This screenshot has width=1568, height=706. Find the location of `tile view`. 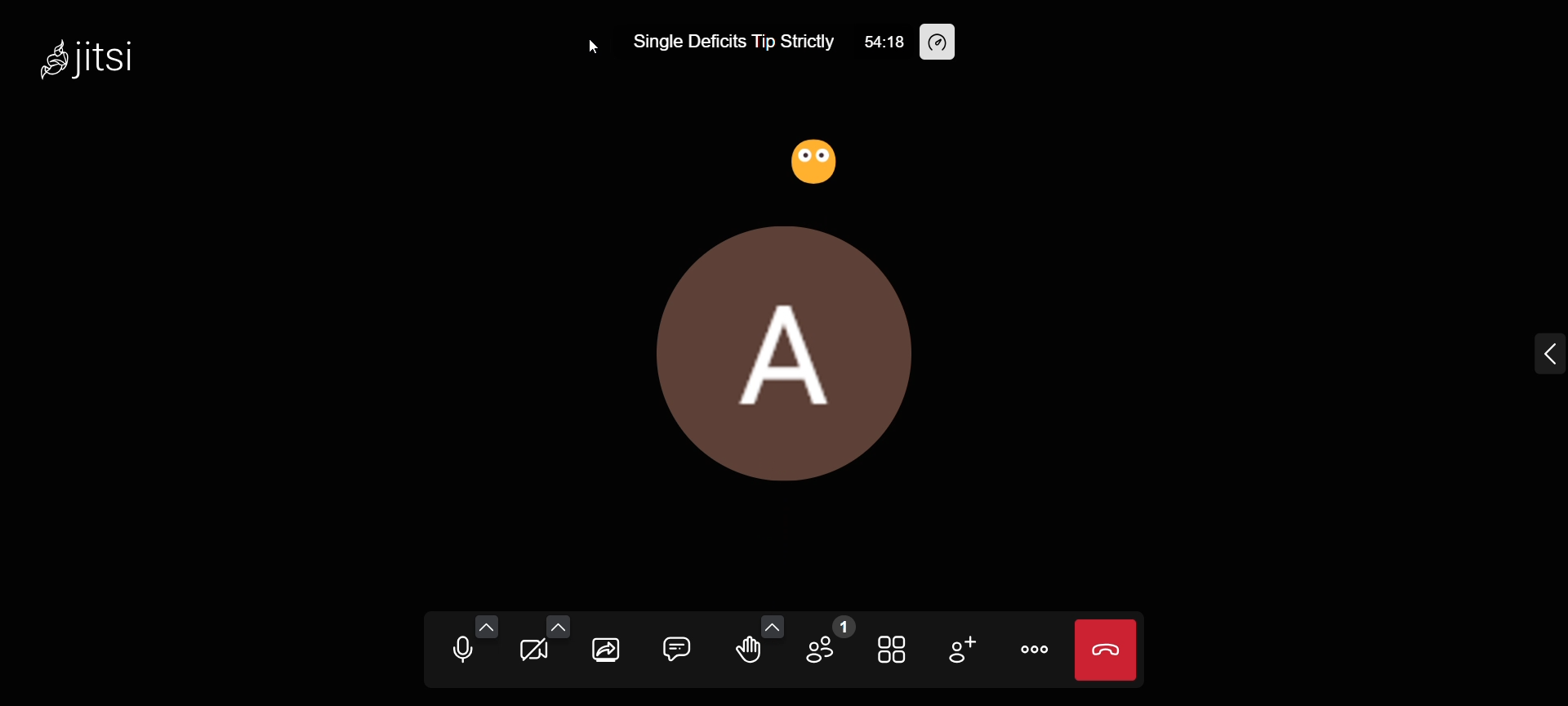

tile view is located at coordinates (893, 647).